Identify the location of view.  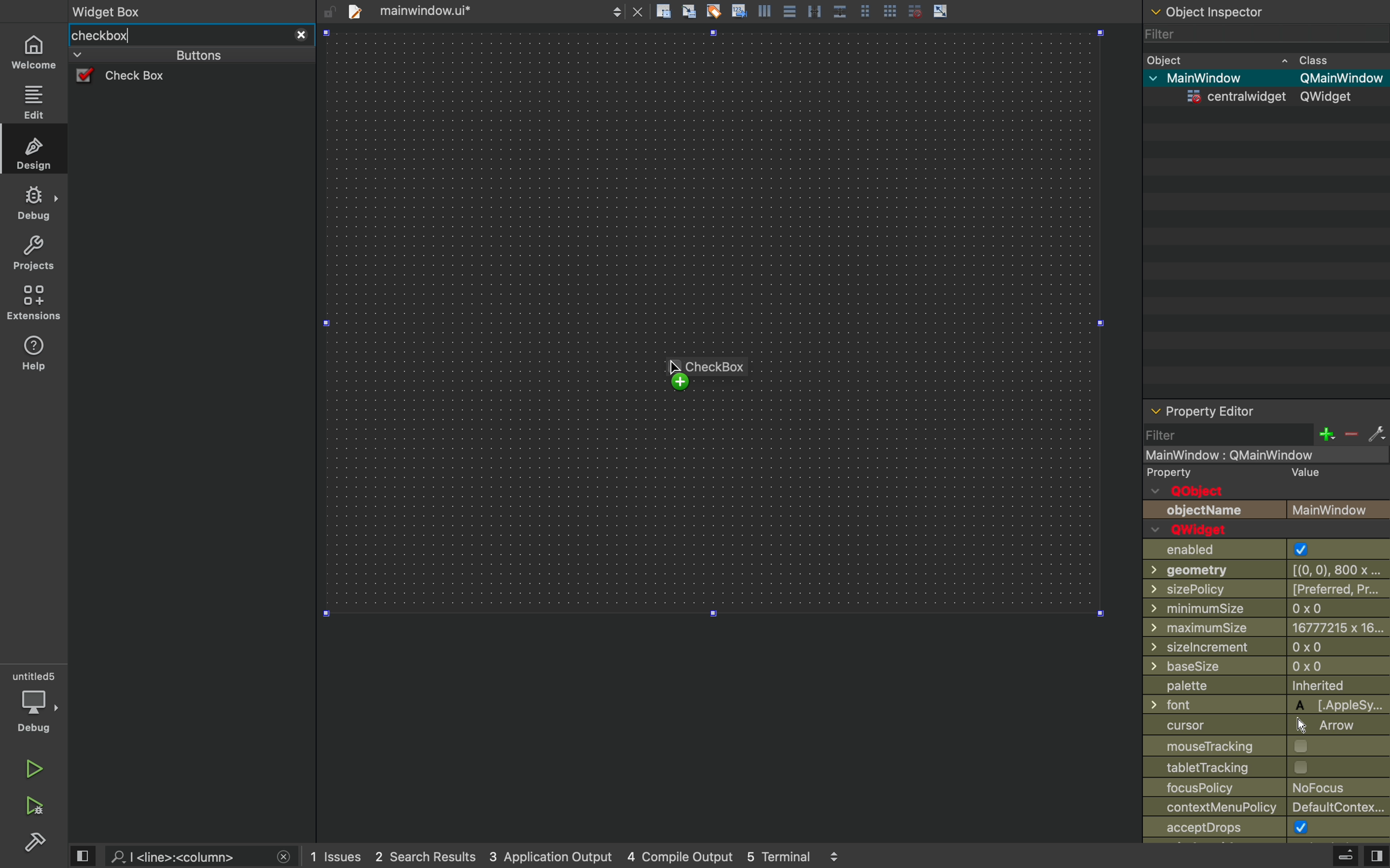
(1376, 857).